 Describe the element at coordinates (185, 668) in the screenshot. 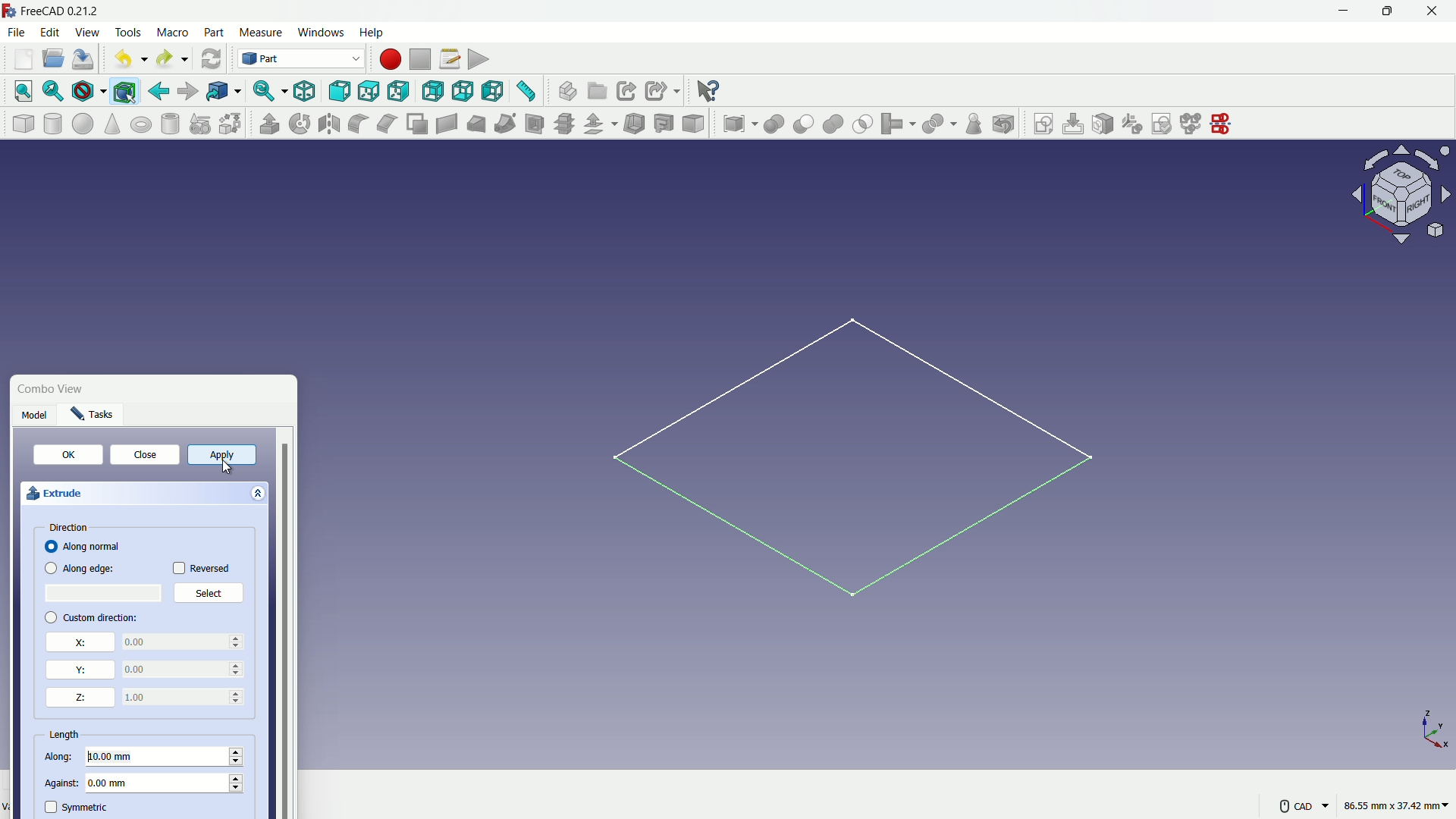

I see `0.00` at that location.